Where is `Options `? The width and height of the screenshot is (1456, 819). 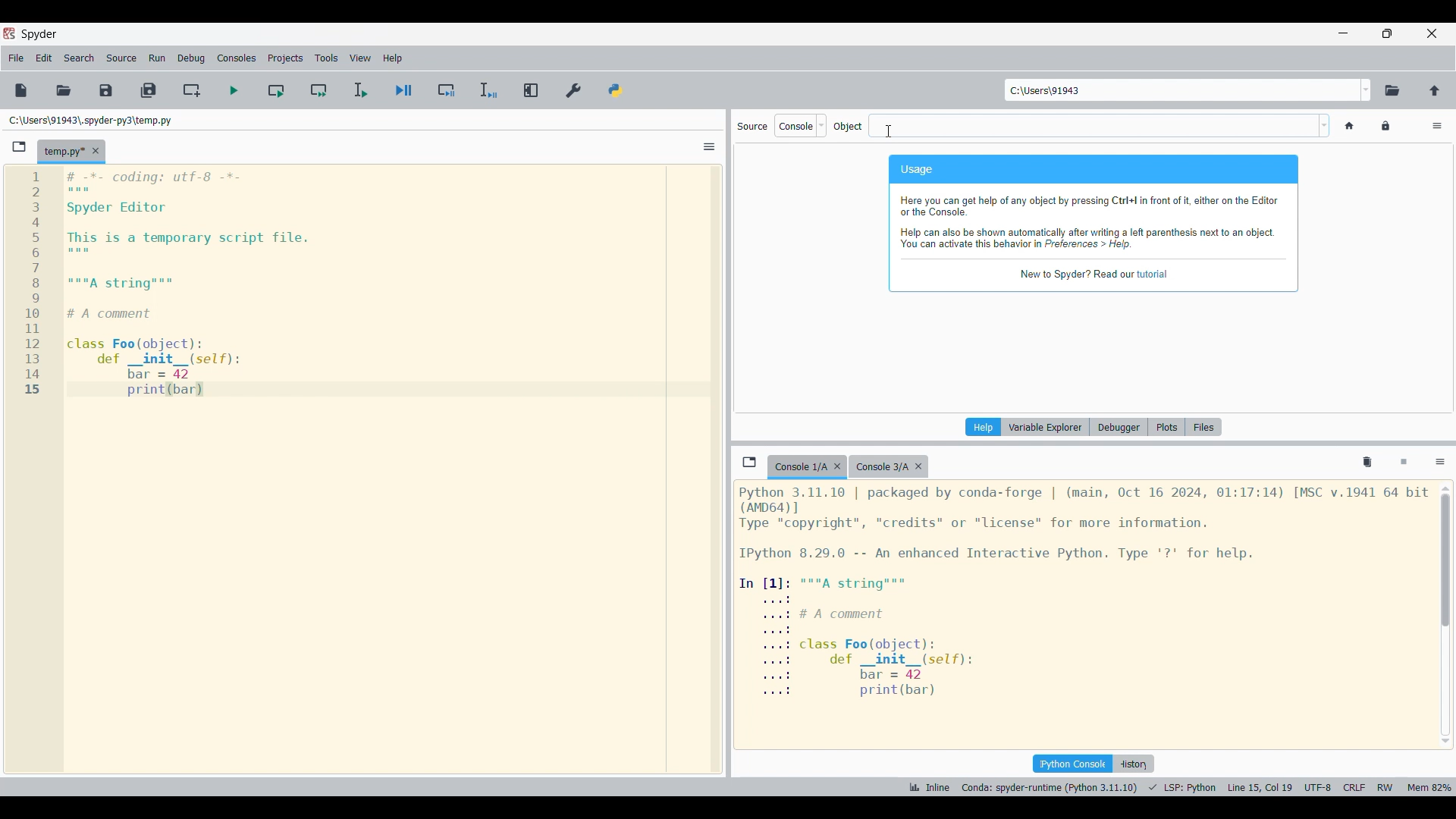
Options  is located at coordinates (709, 147).